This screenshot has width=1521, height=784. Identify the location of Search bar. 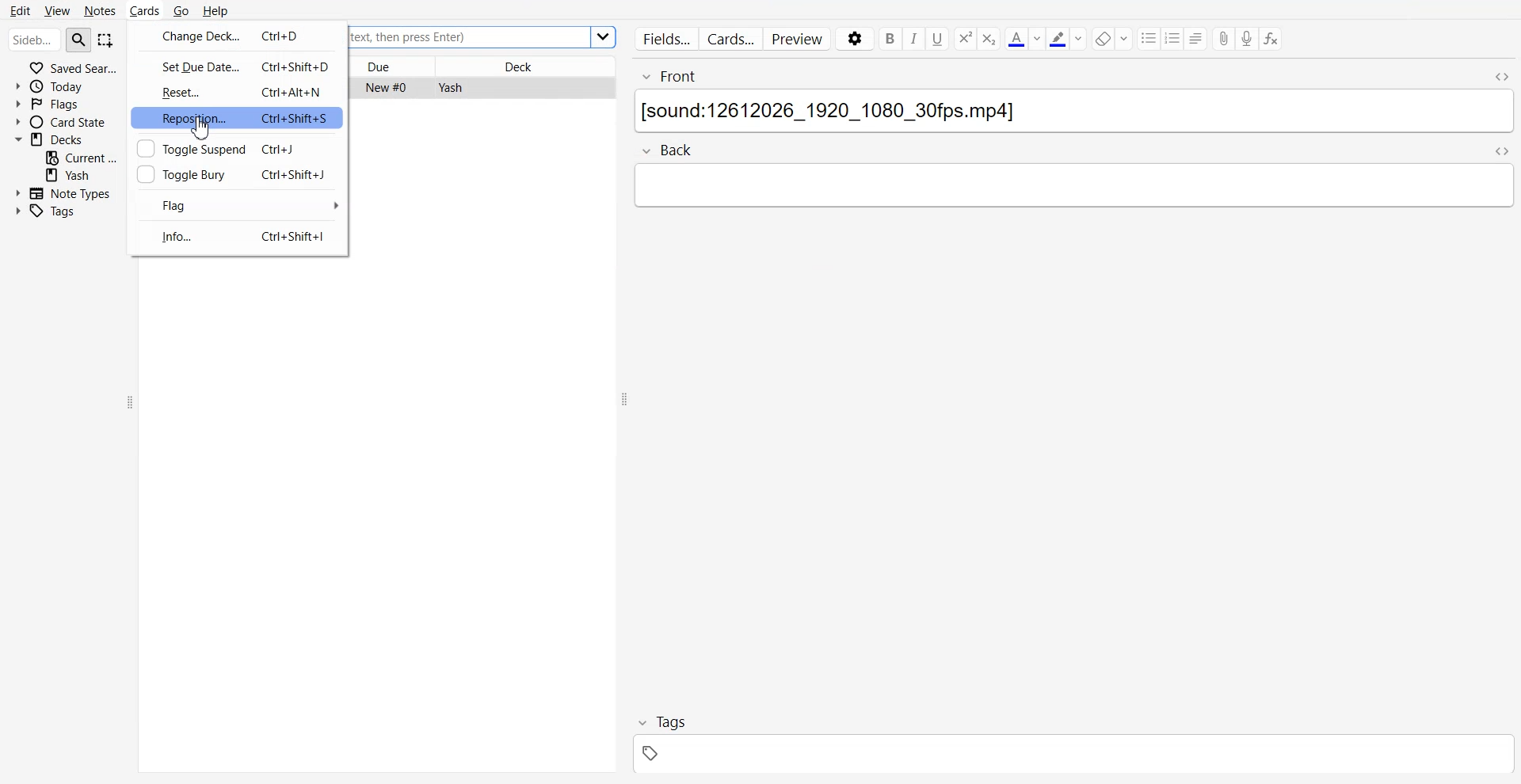
(34, 41).